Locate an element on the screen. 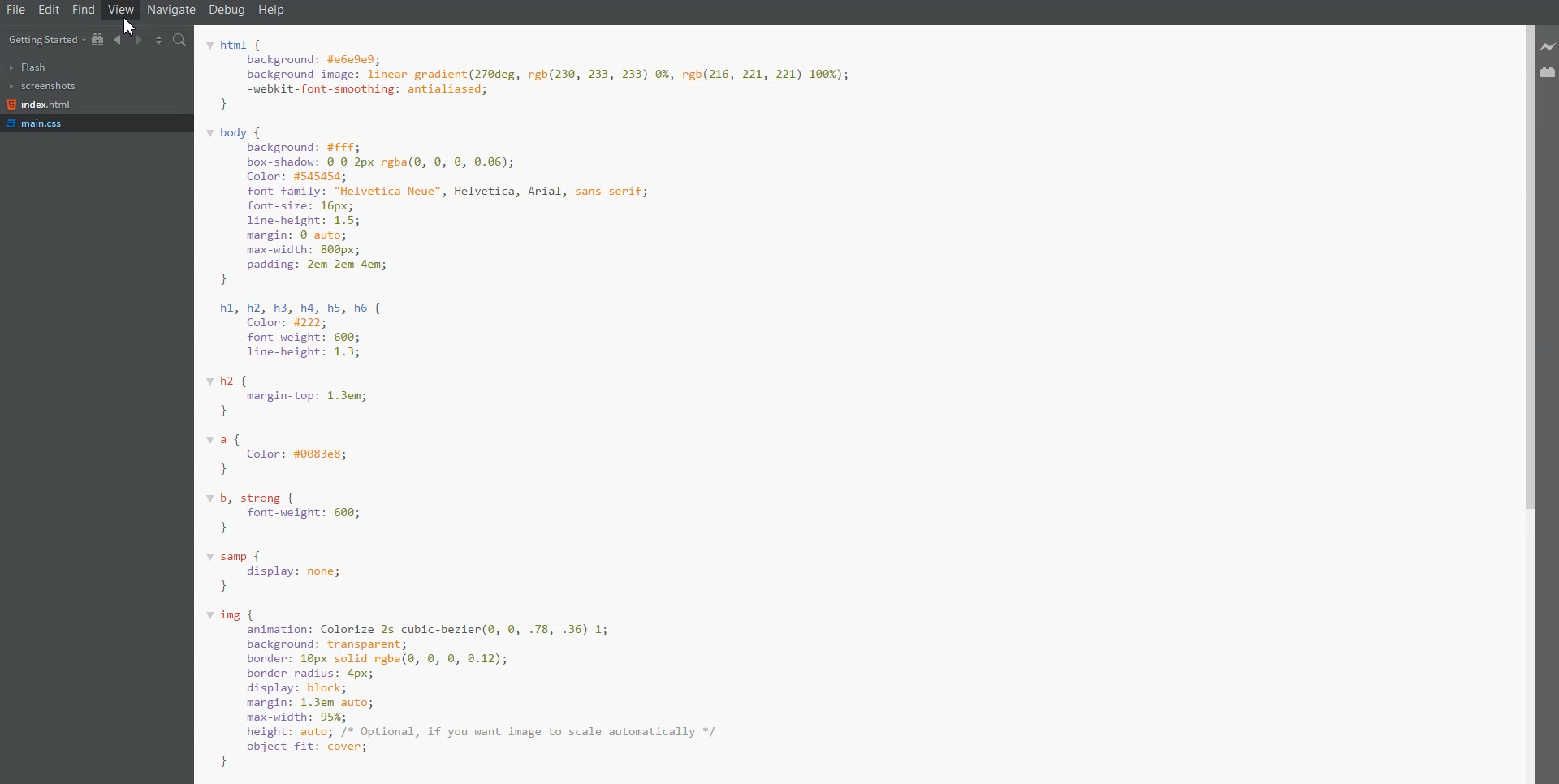 The image size is (1559, 784). File is located at coordinates (15, 10).